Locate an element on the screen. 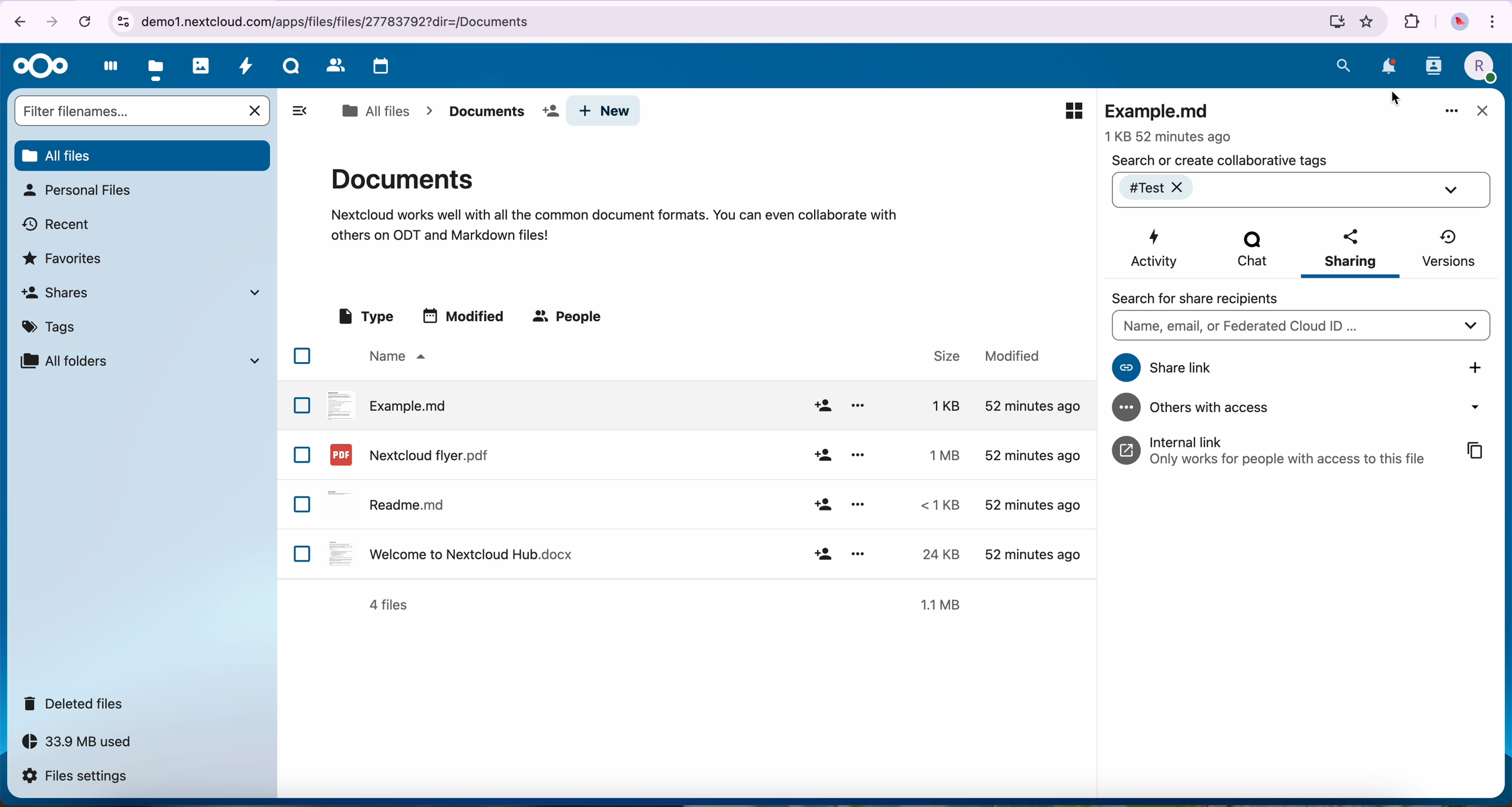  url is located at coordinates (728, 22).